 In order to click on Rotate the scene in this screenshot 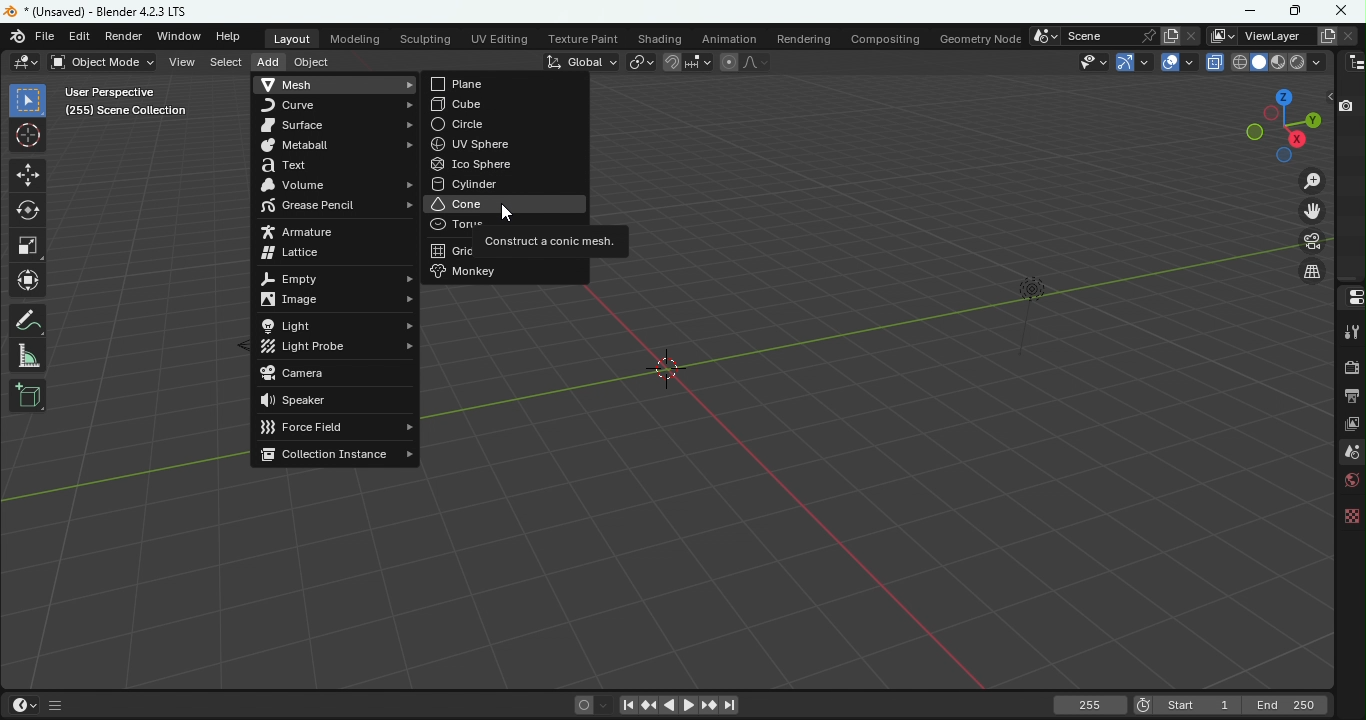, I will do `click(1313, 118)`.